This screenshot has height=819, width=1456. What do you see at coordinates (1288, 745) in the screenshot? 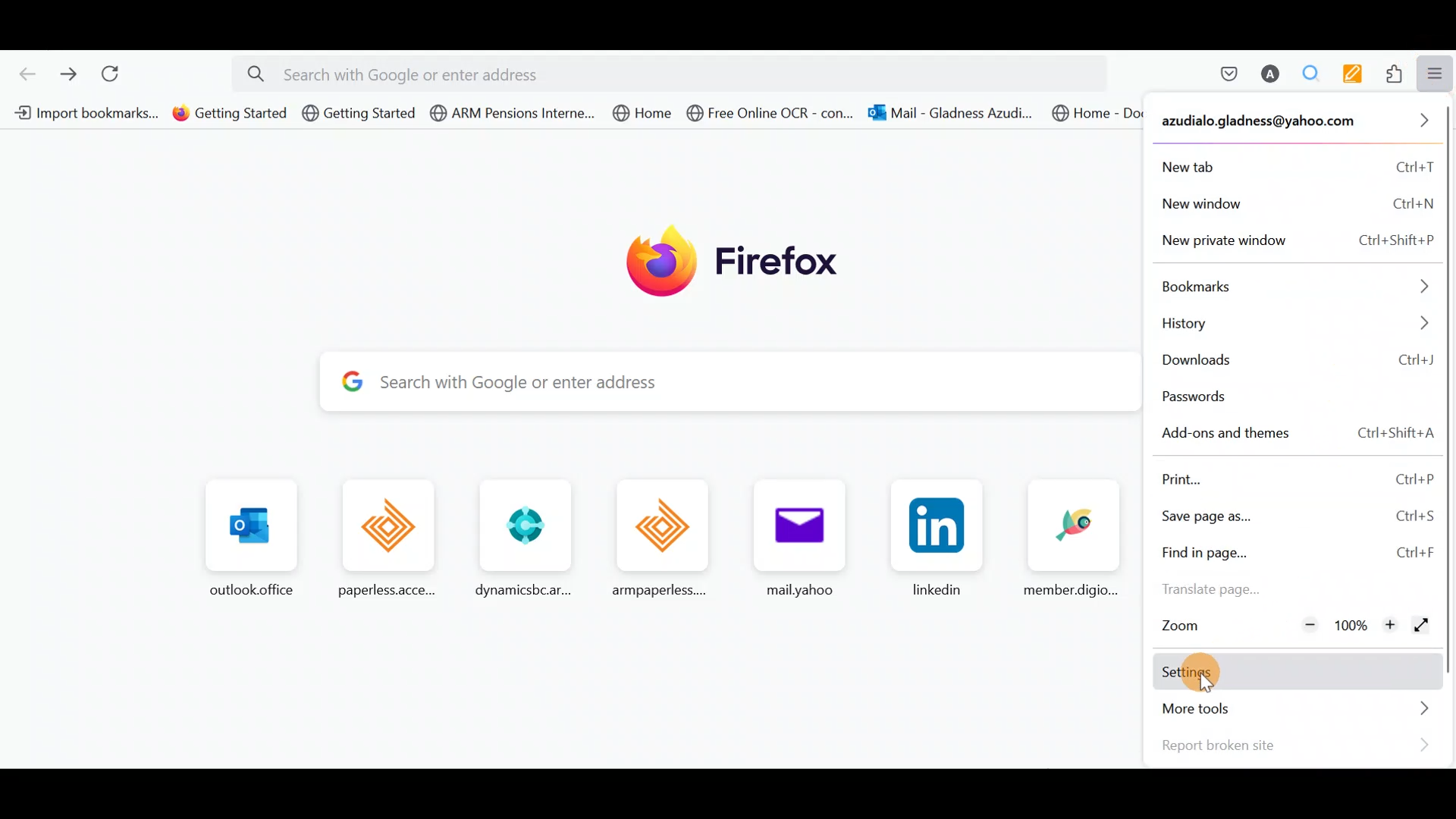
I see `Report broken site` at bounding box center [1288, 745].